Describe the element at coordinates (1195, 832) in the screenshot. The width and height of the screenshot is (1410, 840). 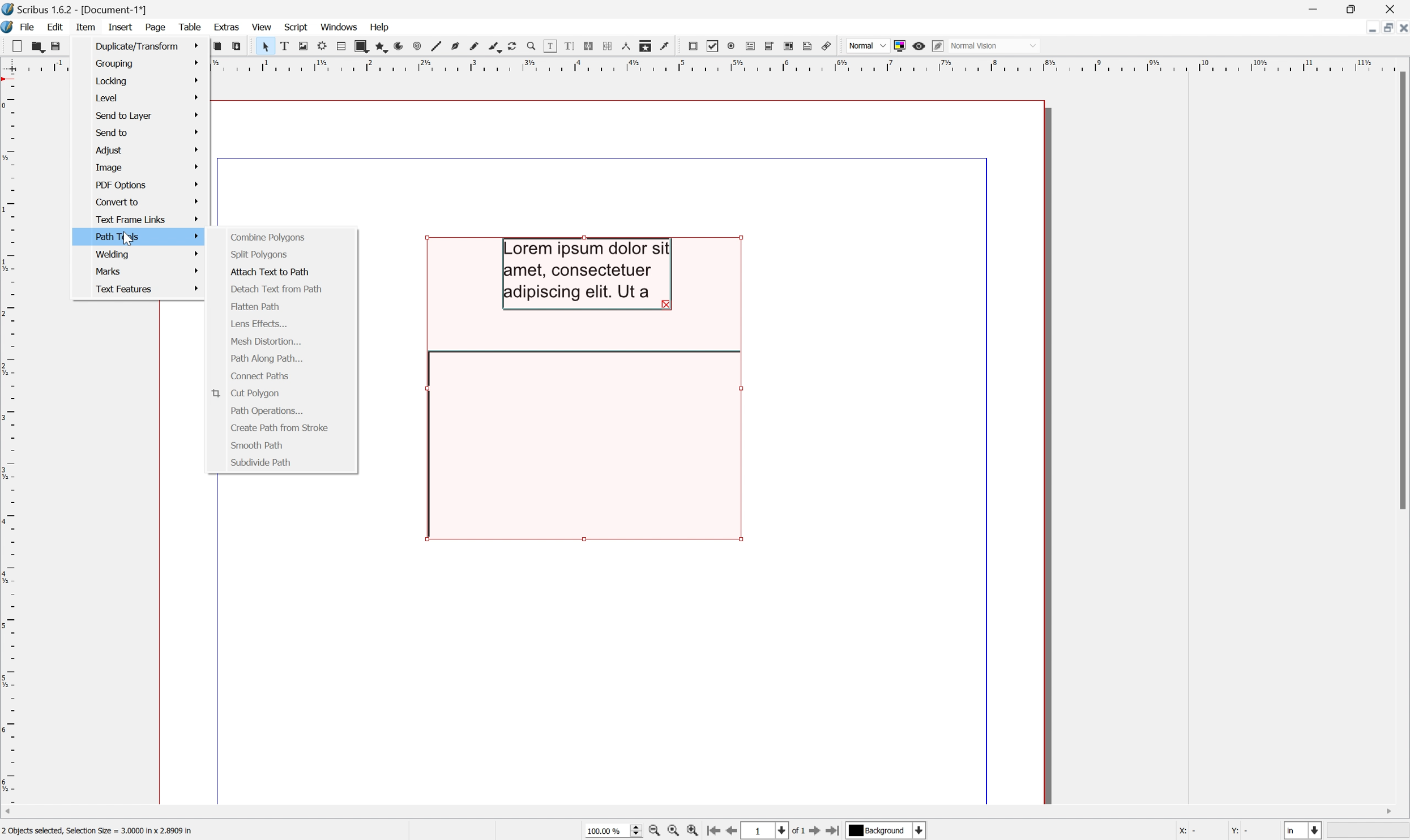
I see `X: 4.0238` at that location.